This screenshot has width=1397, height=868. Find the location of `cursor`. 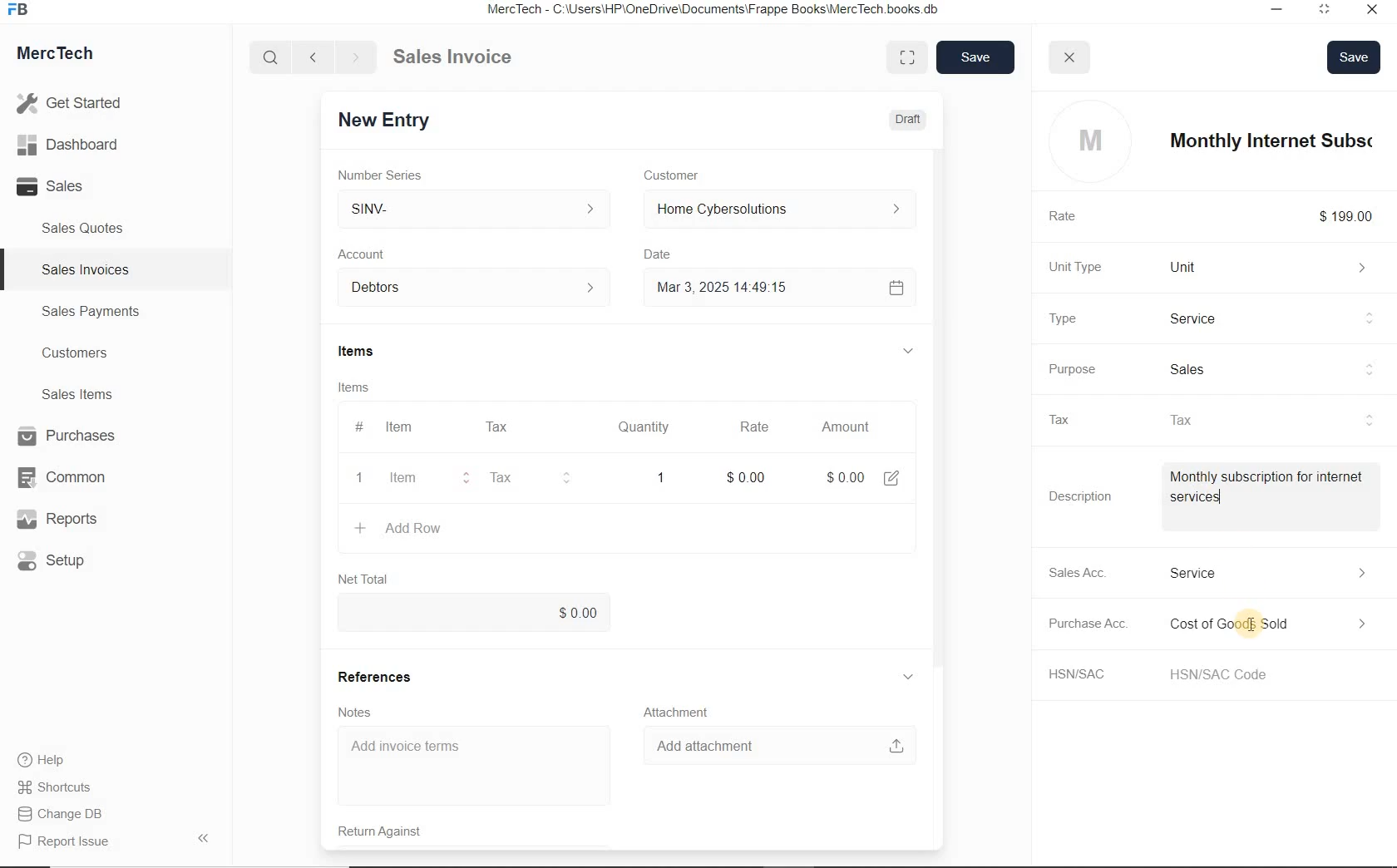

cursor is located at coordinates (1207, 475).